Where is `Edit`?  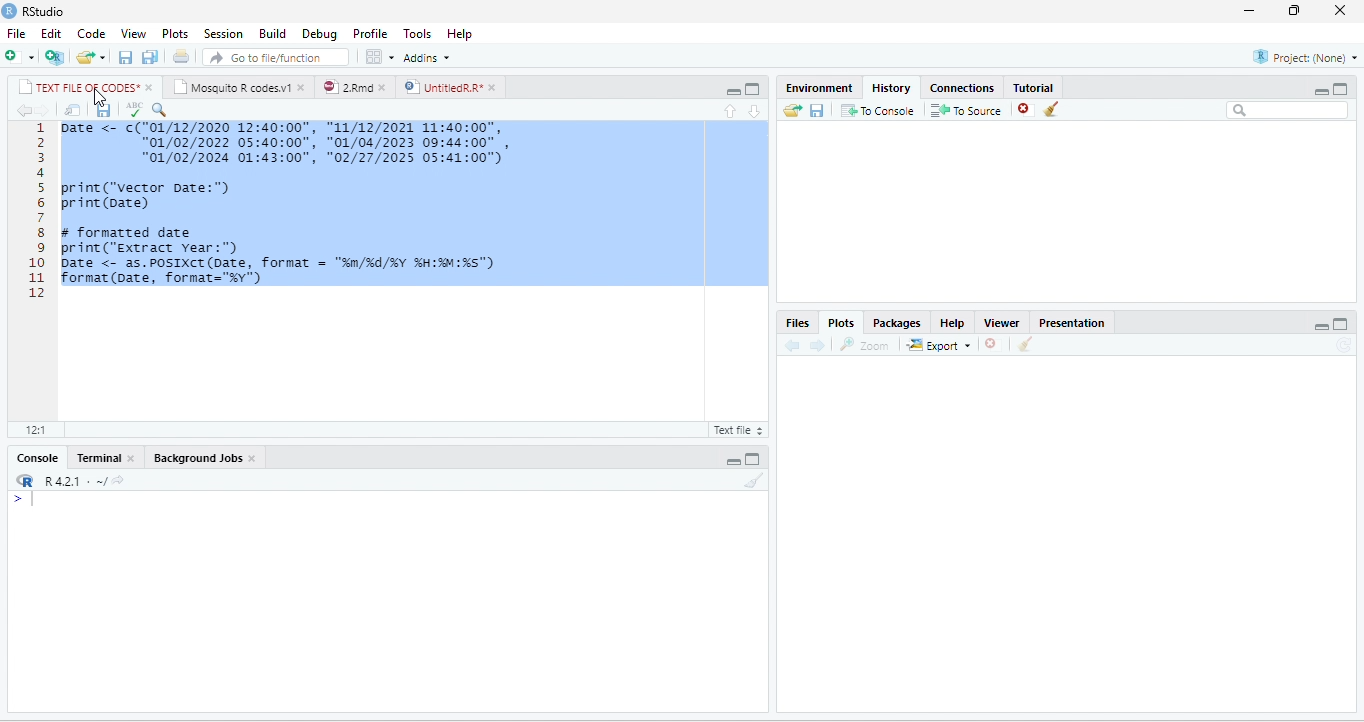 Edit is located at coordinates (51, 34).